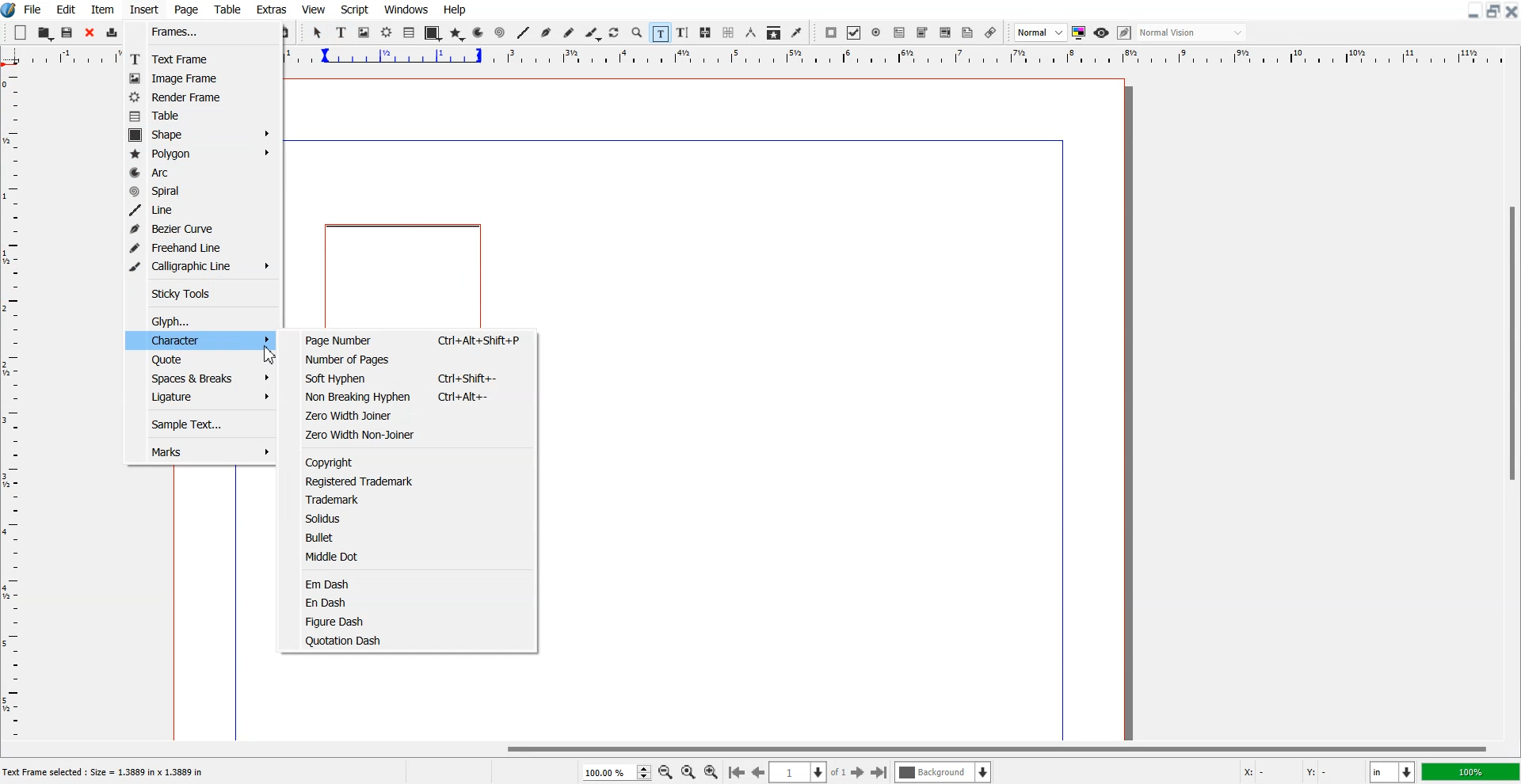 The image size is (1521, 784). What do you see at coordinates (342, 32) in the screenshot?
I see `Text Frame` at bounding box center [342, 32].